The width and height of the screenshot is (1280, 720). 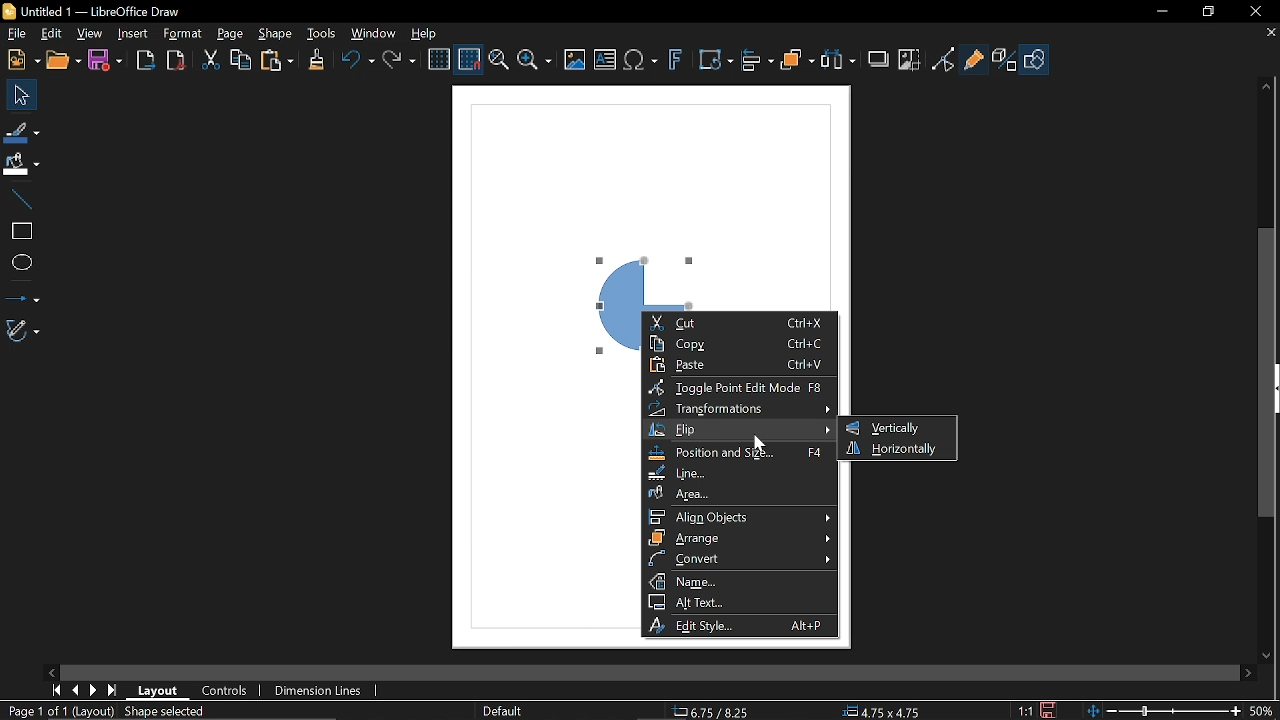 I want to click on Shape, so click(x=278, y=34).